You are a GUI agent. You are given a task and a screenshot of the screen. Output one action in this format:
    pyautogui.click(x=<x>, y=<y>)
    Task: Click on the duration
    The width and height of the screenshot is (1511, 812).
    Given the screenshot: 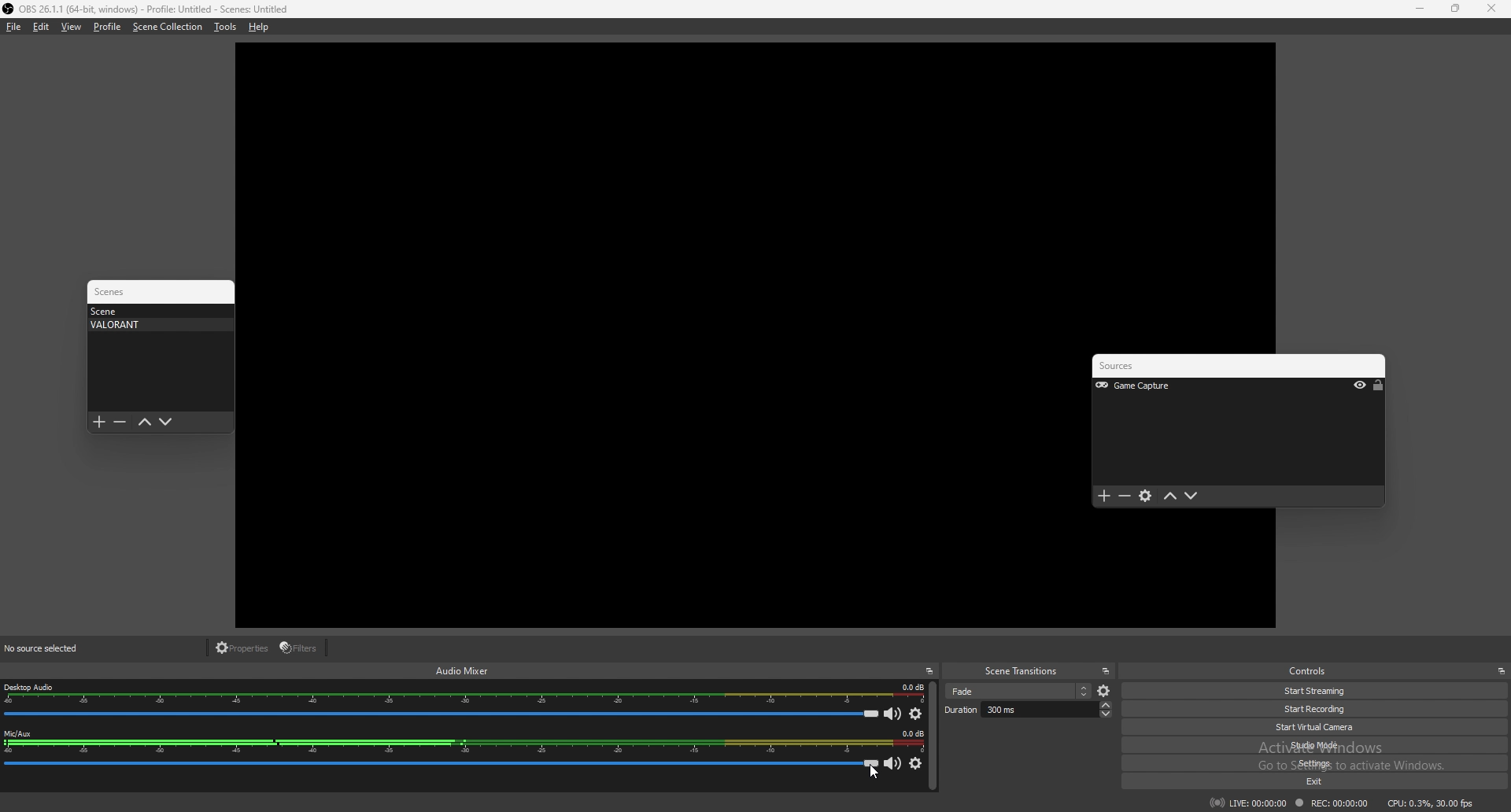 What is the action you would take?
    pyautogui.click(x=1028, y=709)
    